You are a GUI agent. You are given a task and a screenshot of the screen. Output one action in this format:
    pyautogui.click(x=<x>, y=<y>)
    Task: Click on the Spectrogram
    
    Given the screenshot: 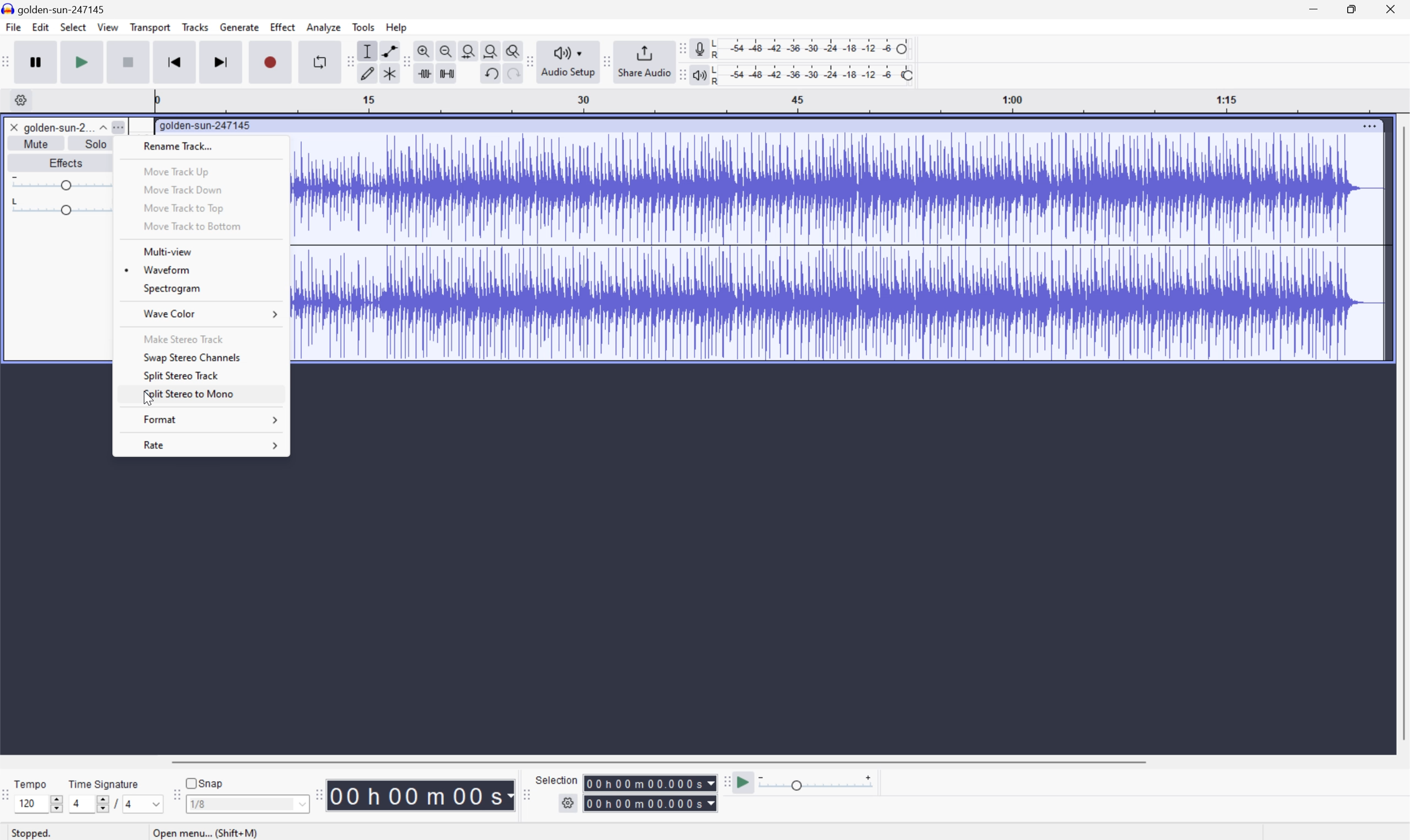 What is the action you would take?
    pyautogui.click(x=174, y=290)
    